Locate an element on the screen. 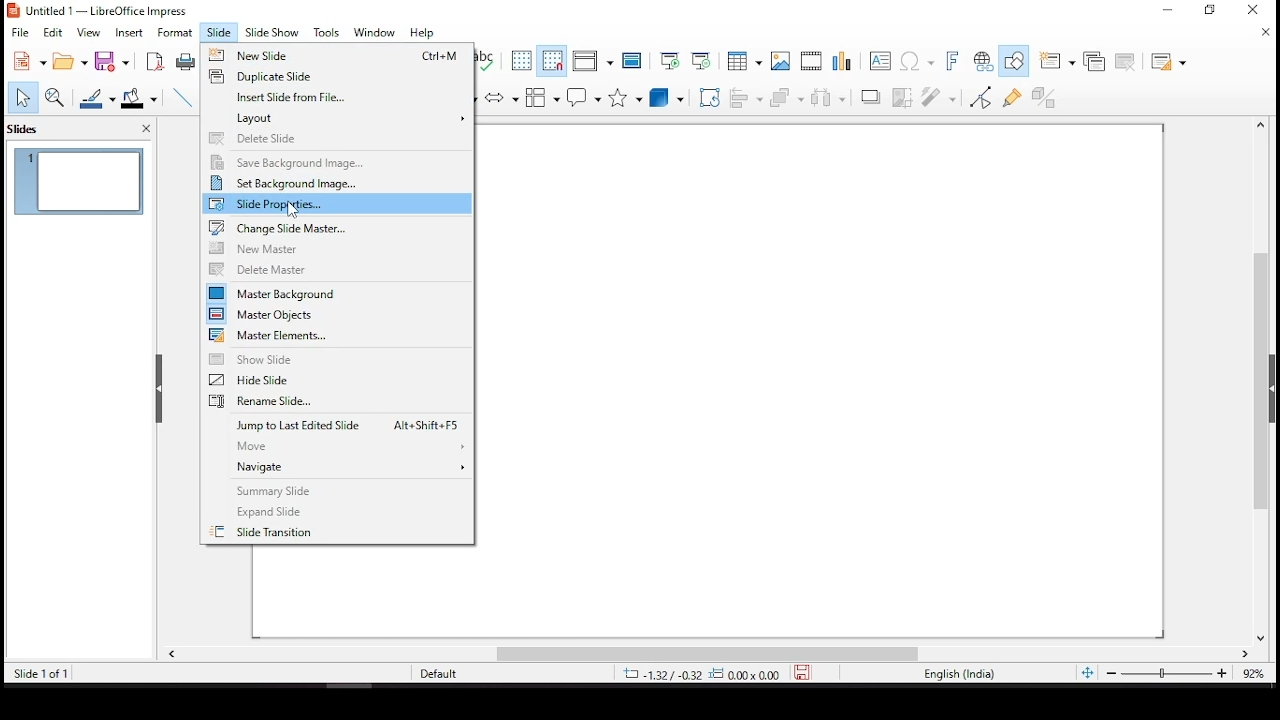 Image resolution: width=1280 pixels, height=720 pixels. spell check is located at coordinates (488, 60).